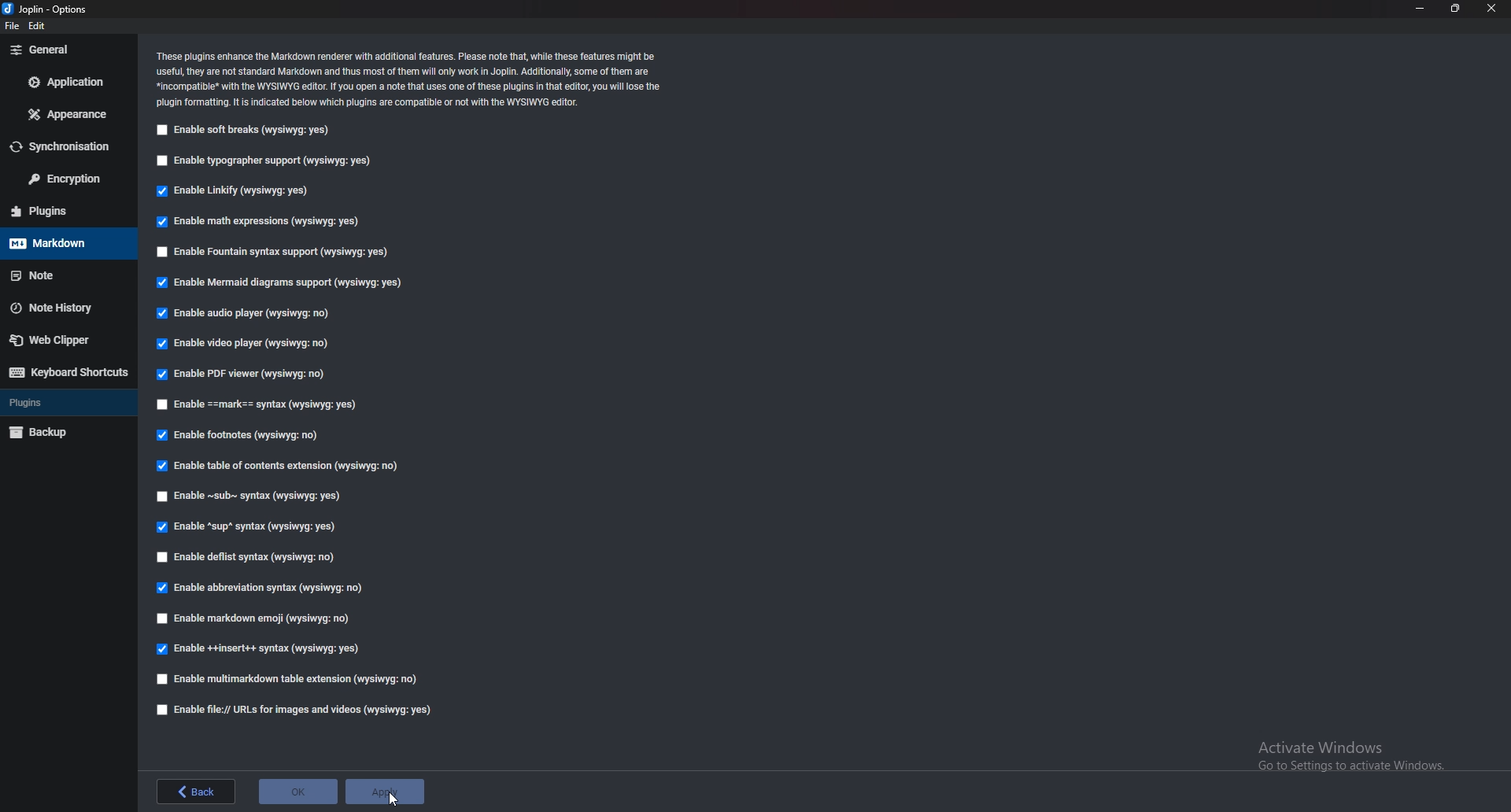 The height and width of the screenshot is (812, 1511). What do you see at coordinates (69, 144) in the screenshot?
I see `Synchronization` at bounding box center [69, 144].